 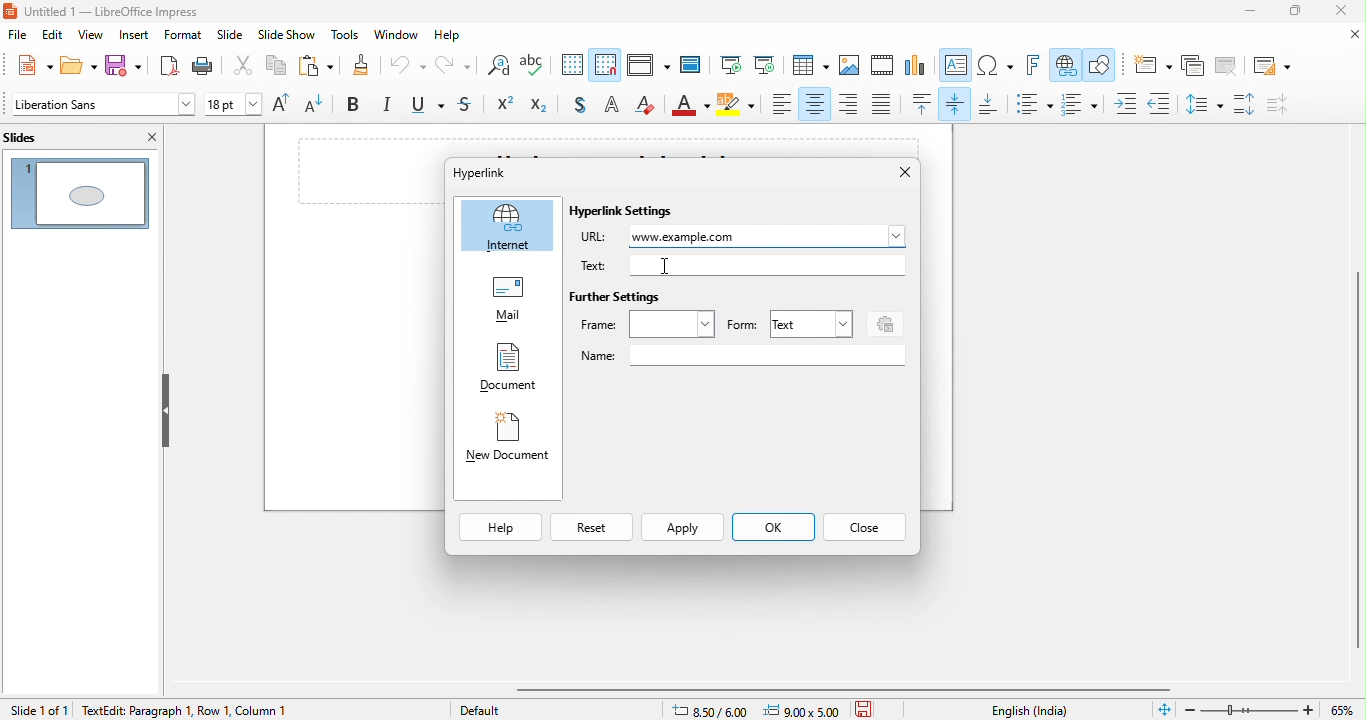 What do you see at coordinates (389, 106) in the screenshot?
I see `italics` at bounding box center [389, 106].